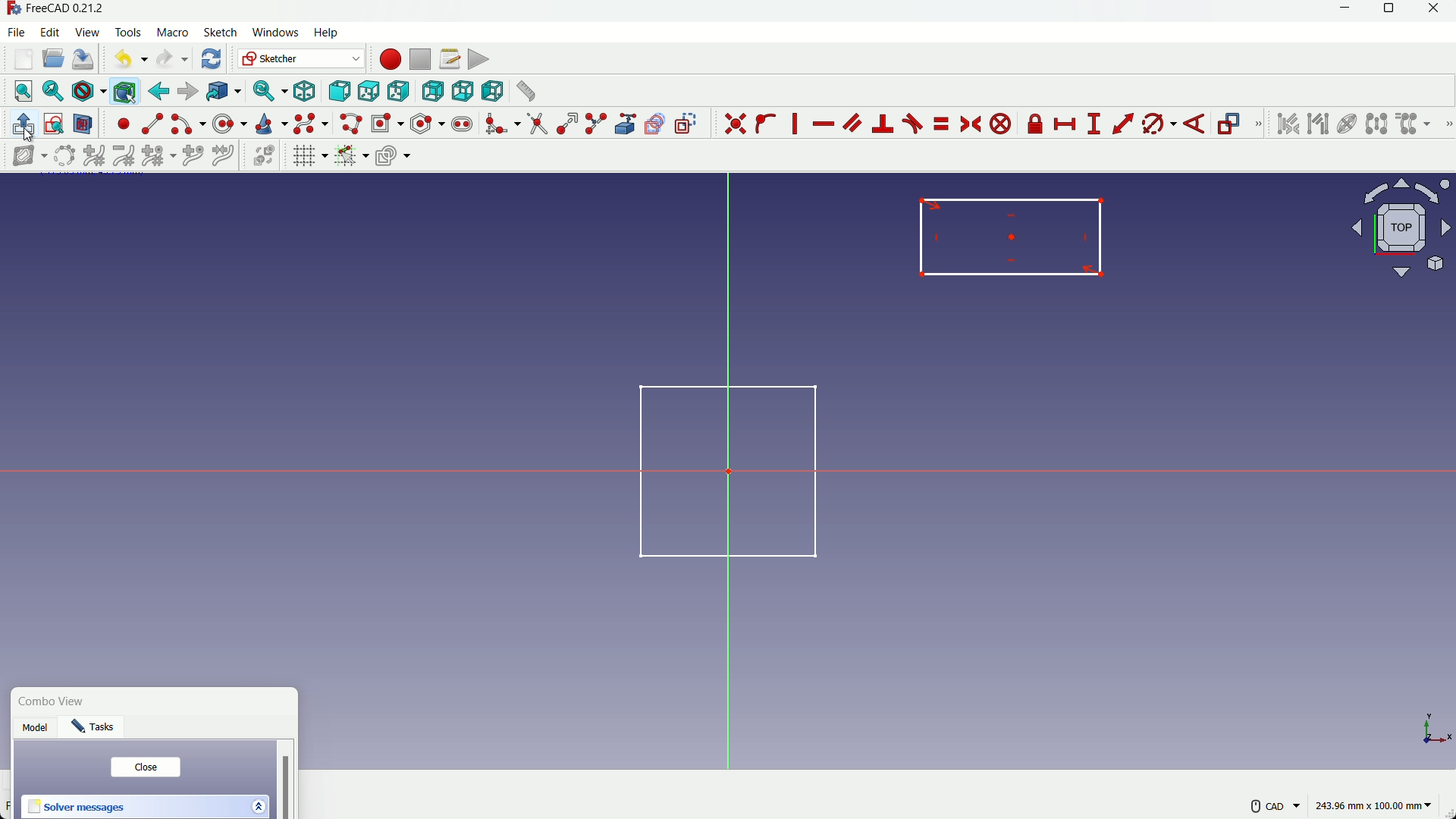 The image size is (1456, 819). I want to click on constraint point on to object, so click(767, 124).